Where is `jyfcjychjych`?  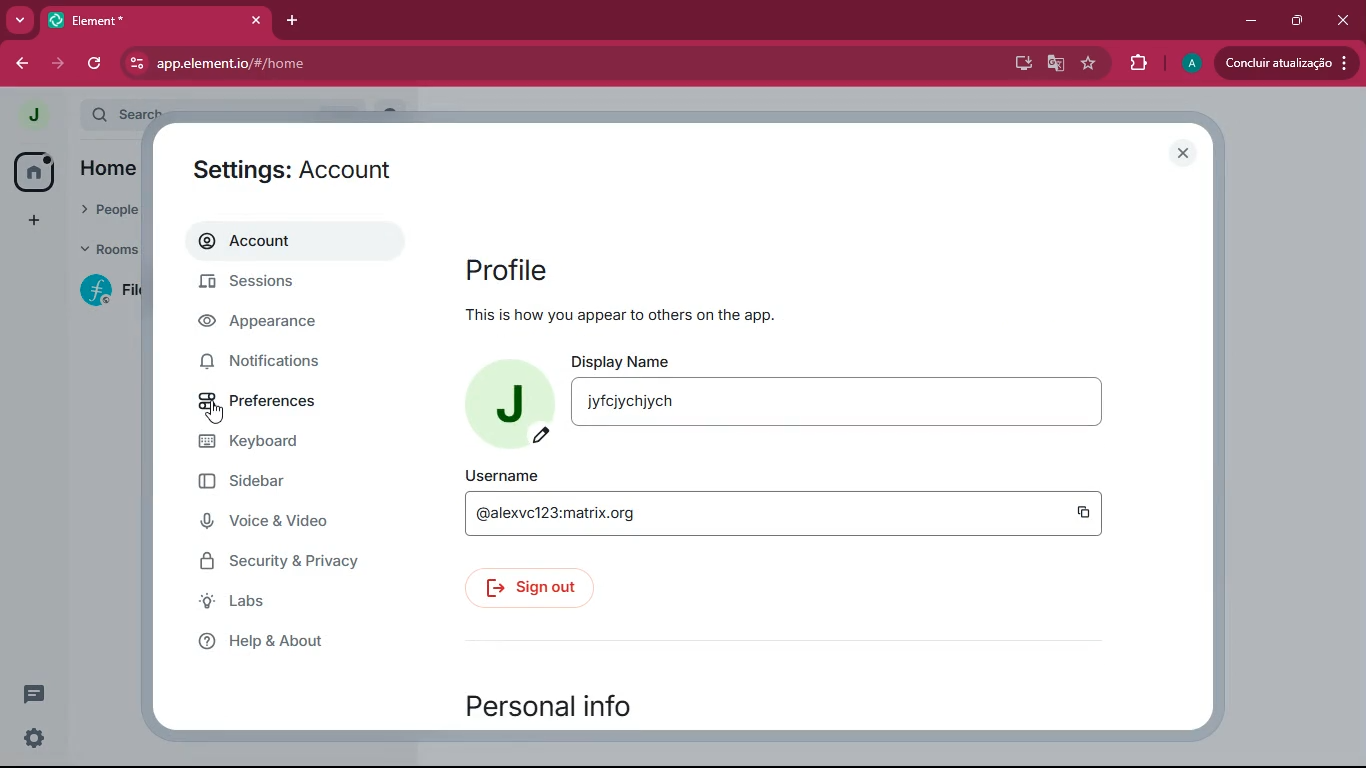
jyfcjychjych is located at coordinates (838, 401).